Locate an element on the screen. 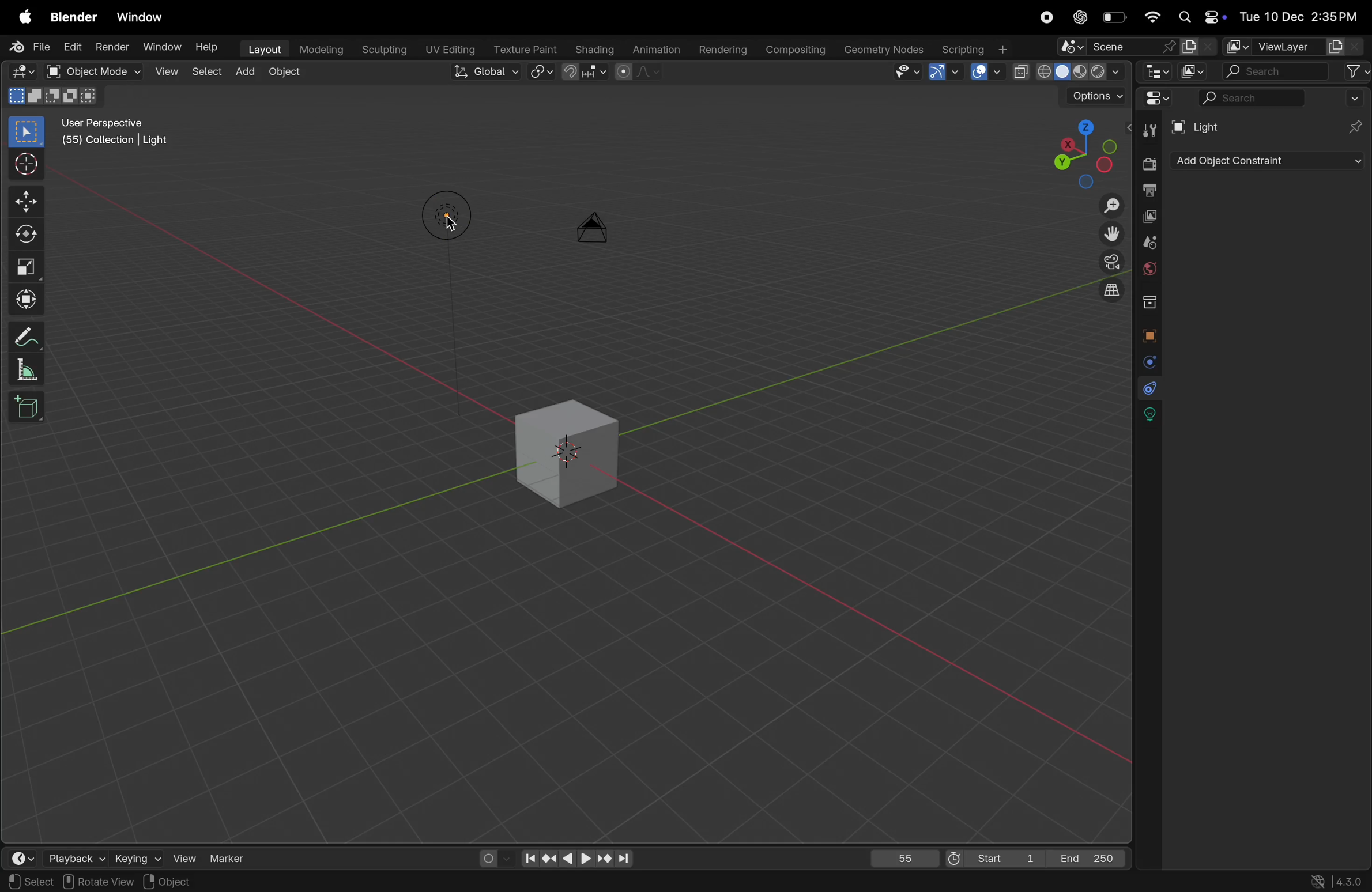 This screenshot has height=892, width=1372. select is located at coordinates (208, 74).